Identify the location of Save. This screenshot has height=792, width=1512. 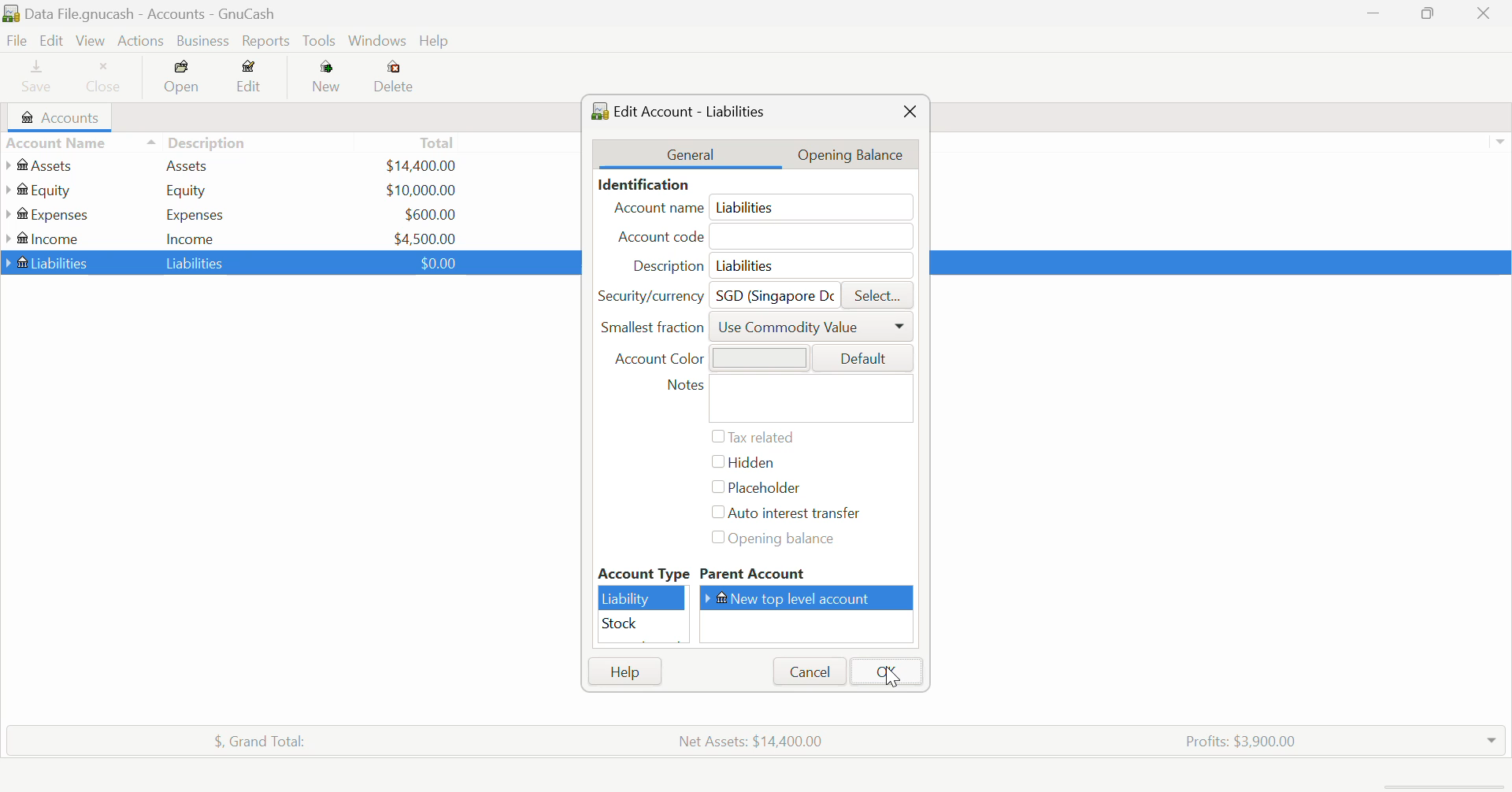
(30, 79).